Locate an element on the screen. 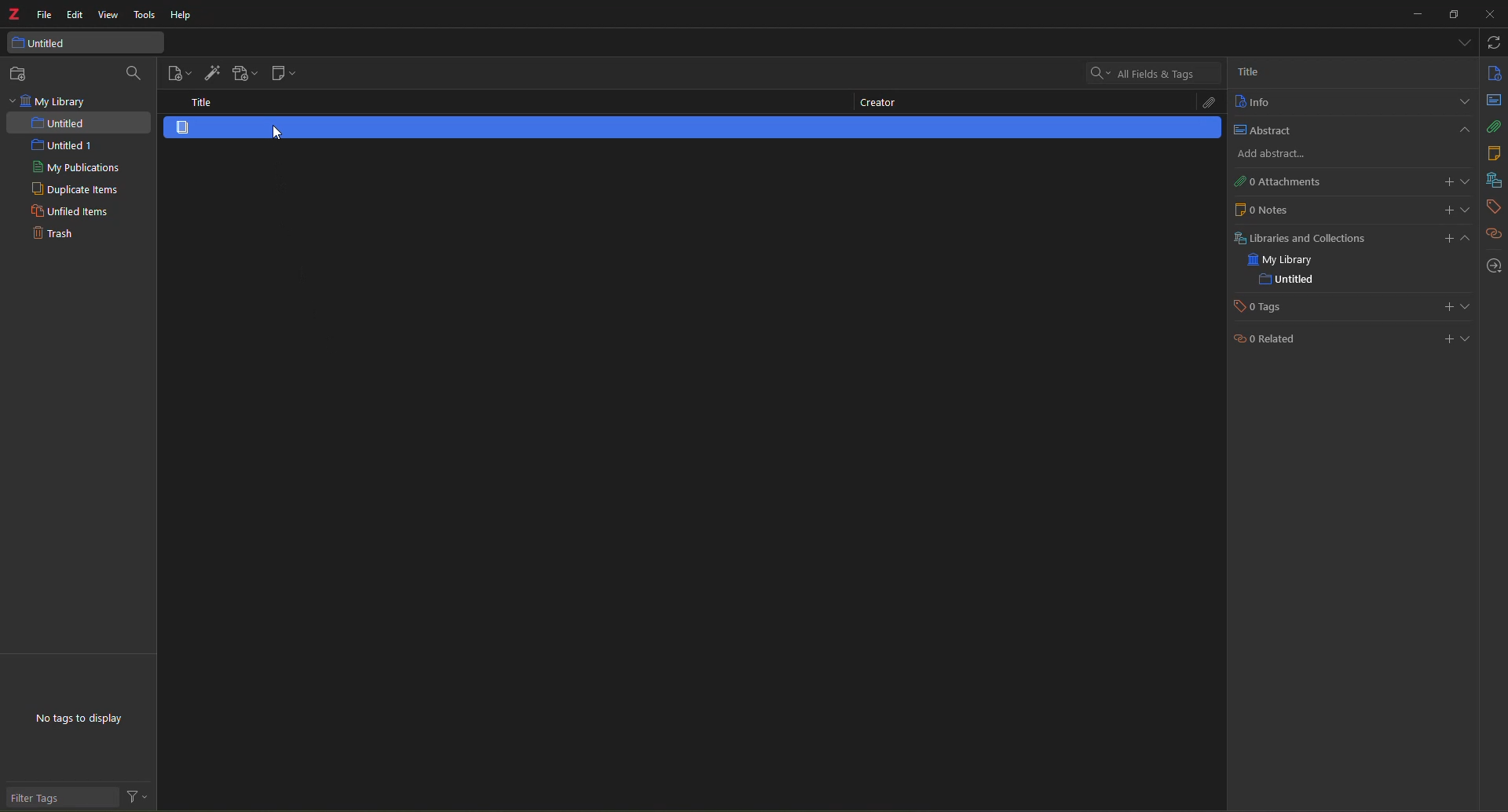  close is located at coordinates (1488, 15).